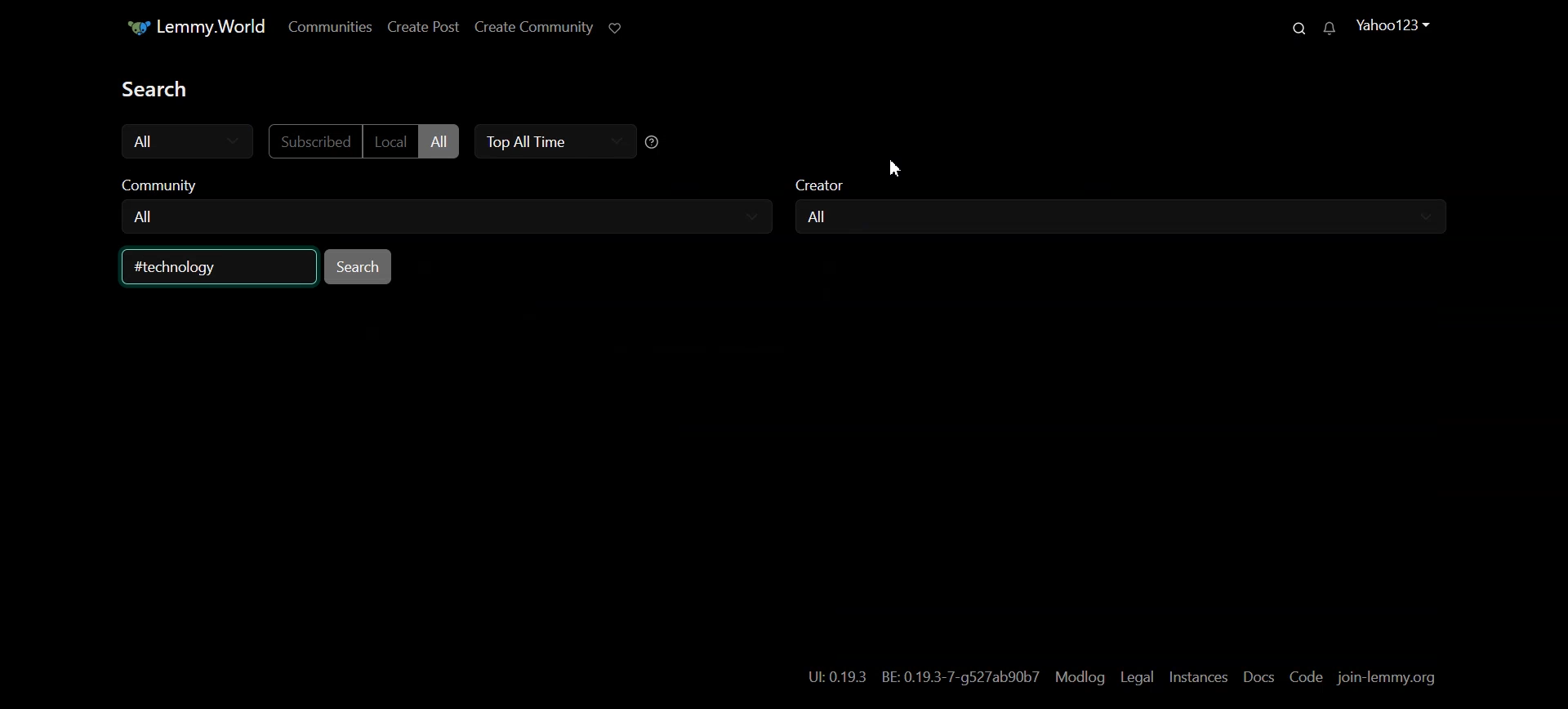  Describe the element at coordinates (1386, 679) in the screenshot. I see `join-lemmy.org` at that location.